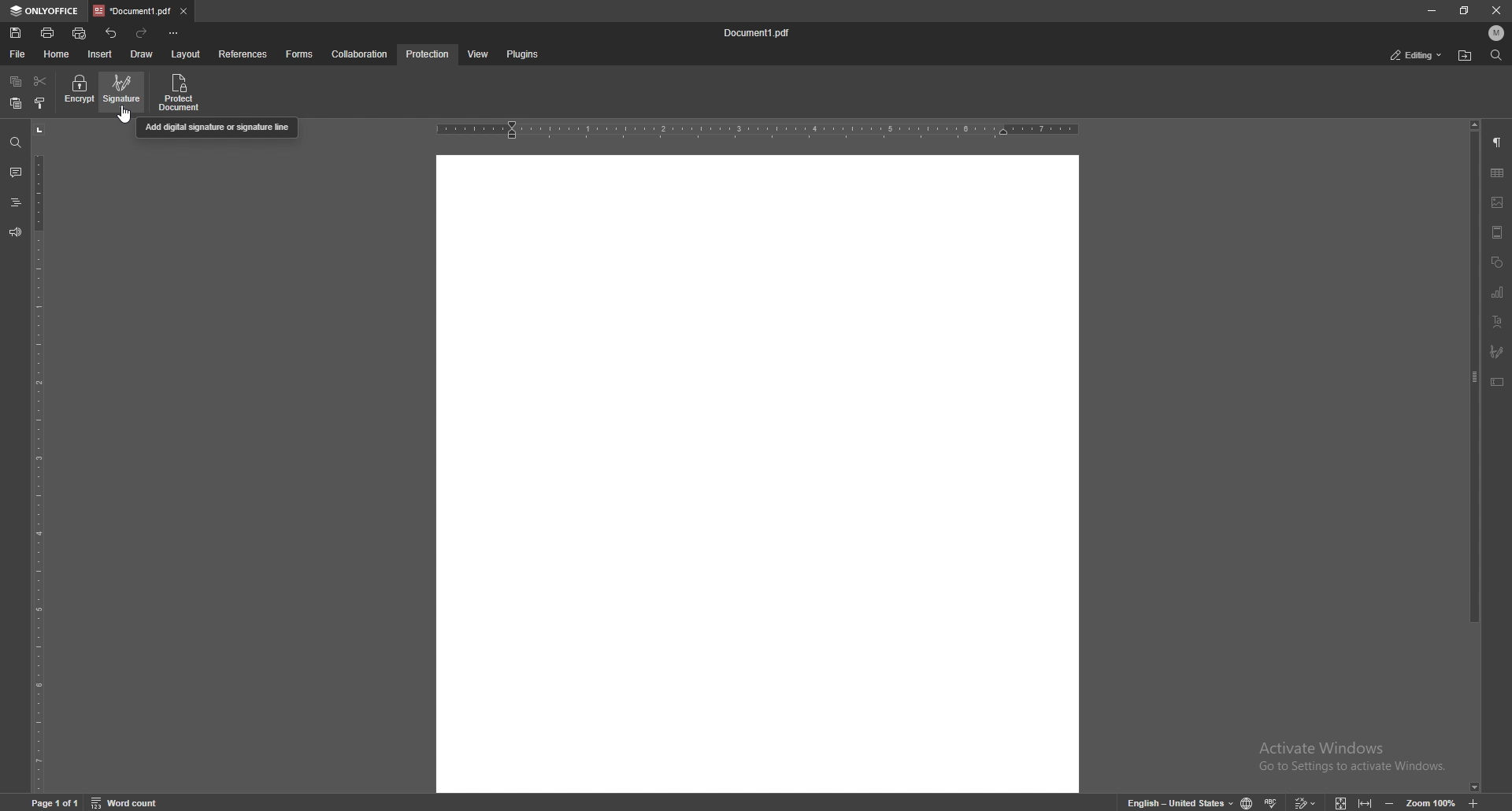  I want to click on status, so click(1417, 56).